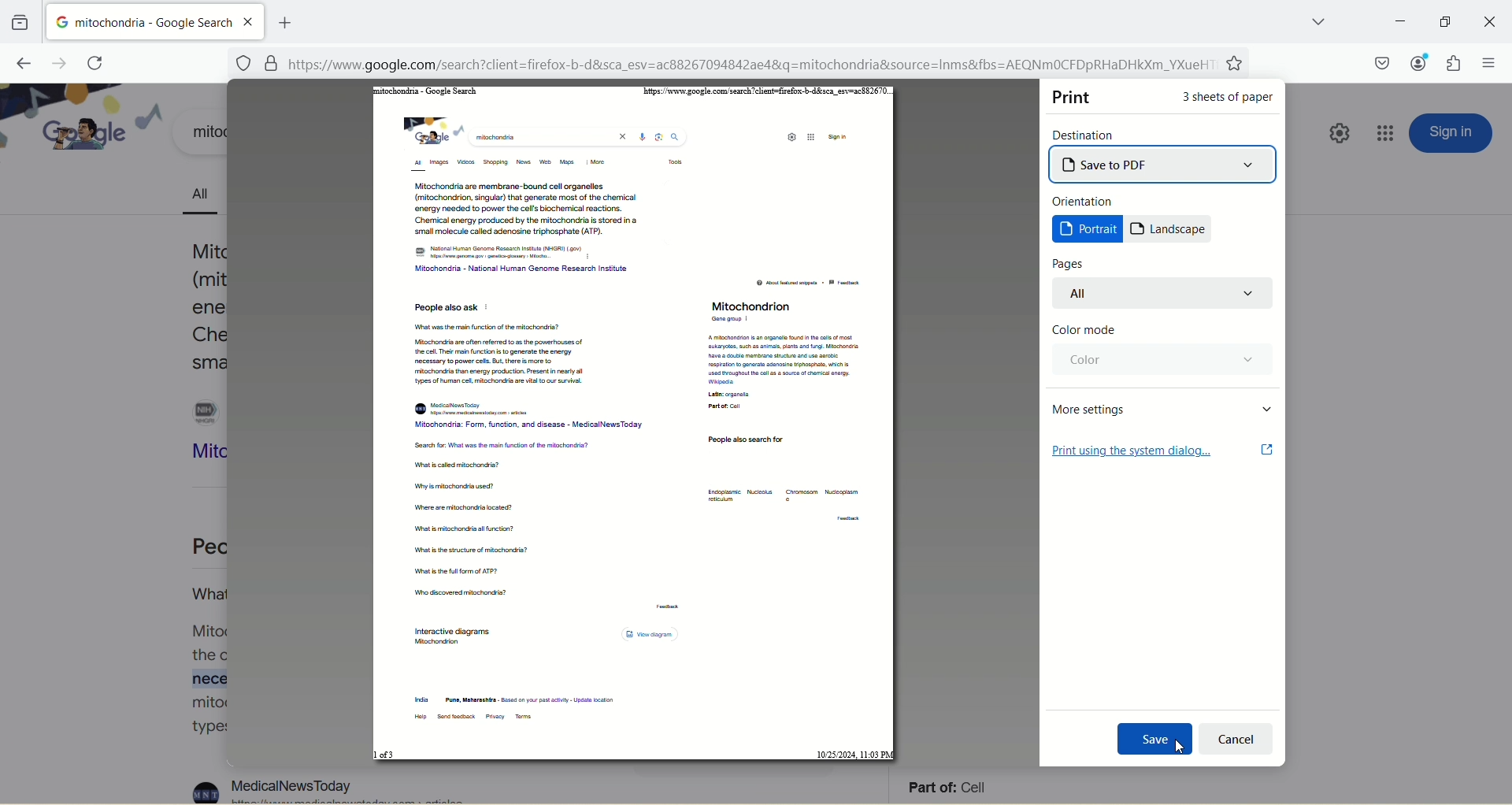 This screenshot has height=805, width=1512. What do you see at coordinates (1087, 134) in the screenshot?
I see `destination` at bounding box center [1087, 134].